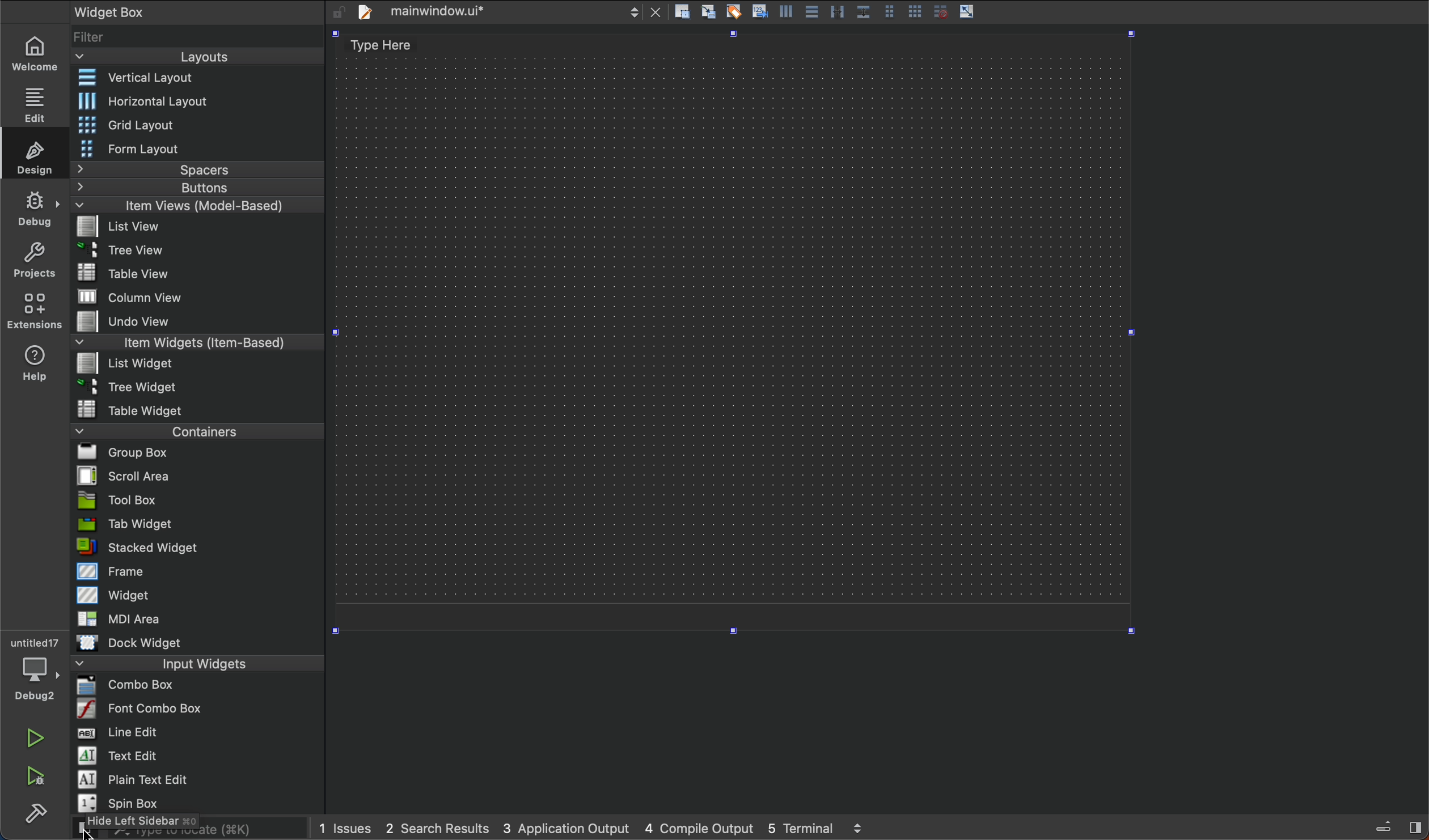 This screenshot has height=840, width=1429. Describe the element at coordinates (567, 827) in the screenshot. I see `3 Application Output` at that location.